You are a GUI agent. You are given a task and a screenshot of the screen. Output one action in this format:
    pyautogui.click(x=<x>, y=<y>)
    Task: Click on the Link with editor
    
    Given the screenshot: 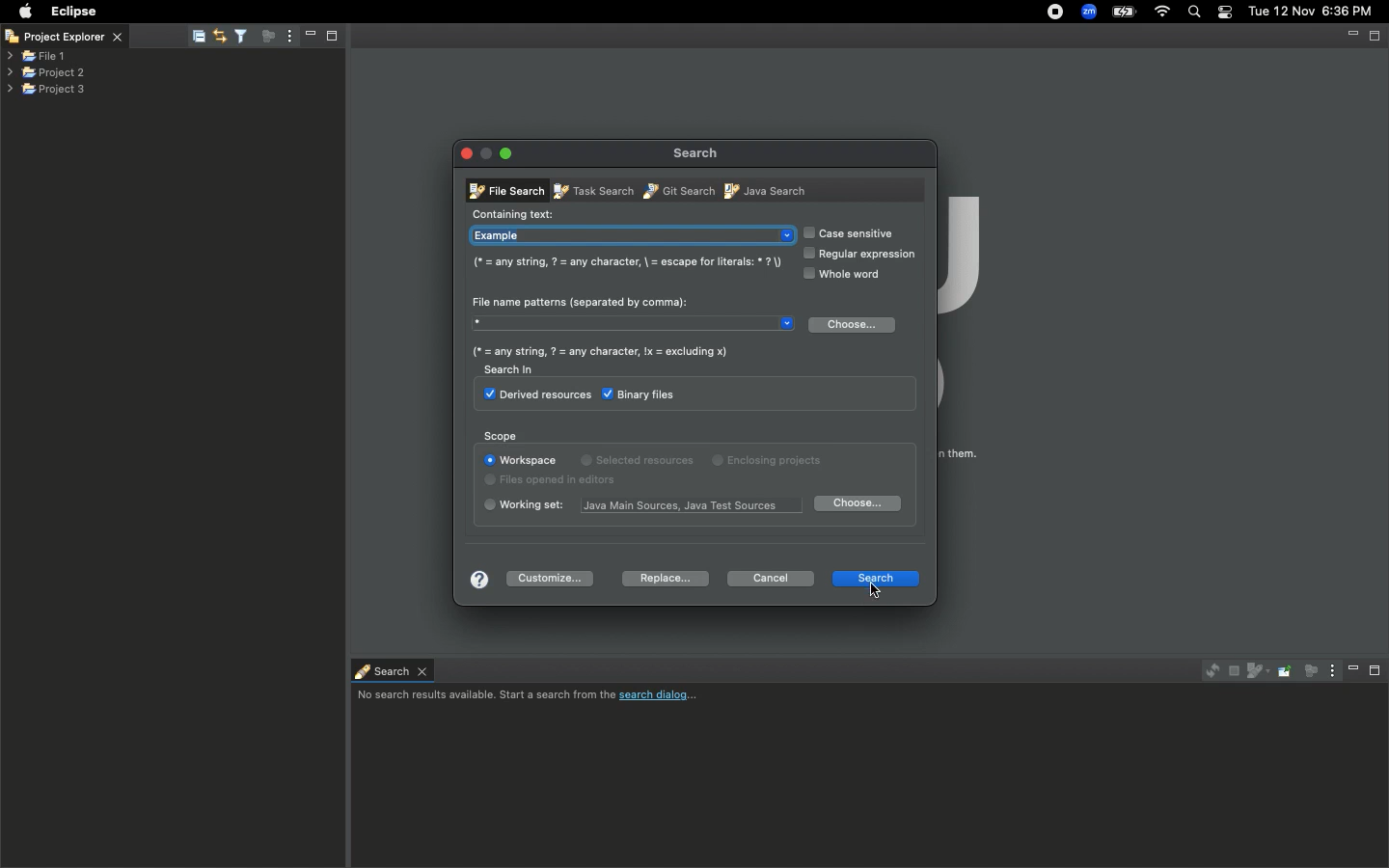 What is the action you would take?
    pyautogui.click(x=1208, y=669)
    